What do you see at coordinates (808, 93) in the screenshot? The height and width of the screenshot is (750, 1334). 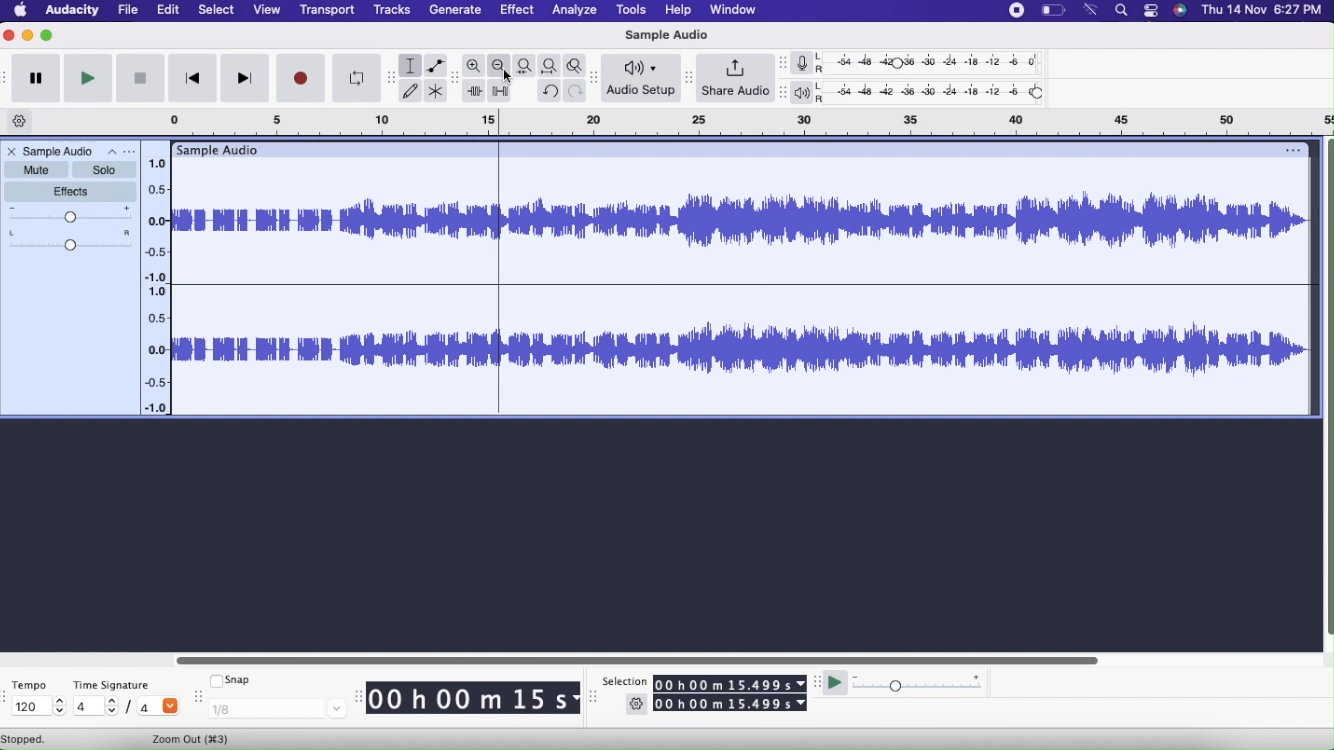 I see `Playback meter` at bounding box center [808, 93].